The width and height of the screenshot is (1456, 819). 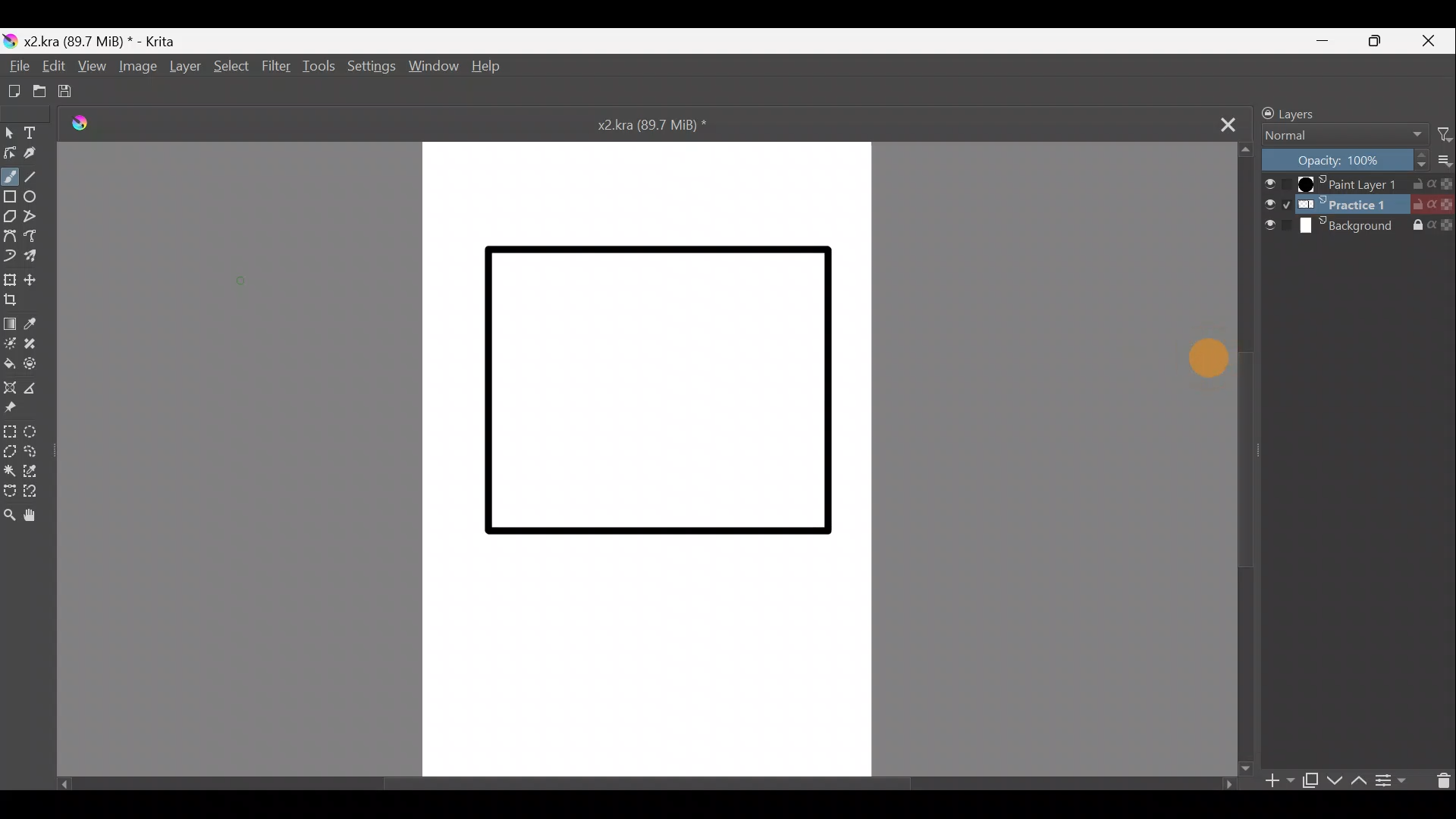 I want to click on Minimize, so click(x=1323, y=42).